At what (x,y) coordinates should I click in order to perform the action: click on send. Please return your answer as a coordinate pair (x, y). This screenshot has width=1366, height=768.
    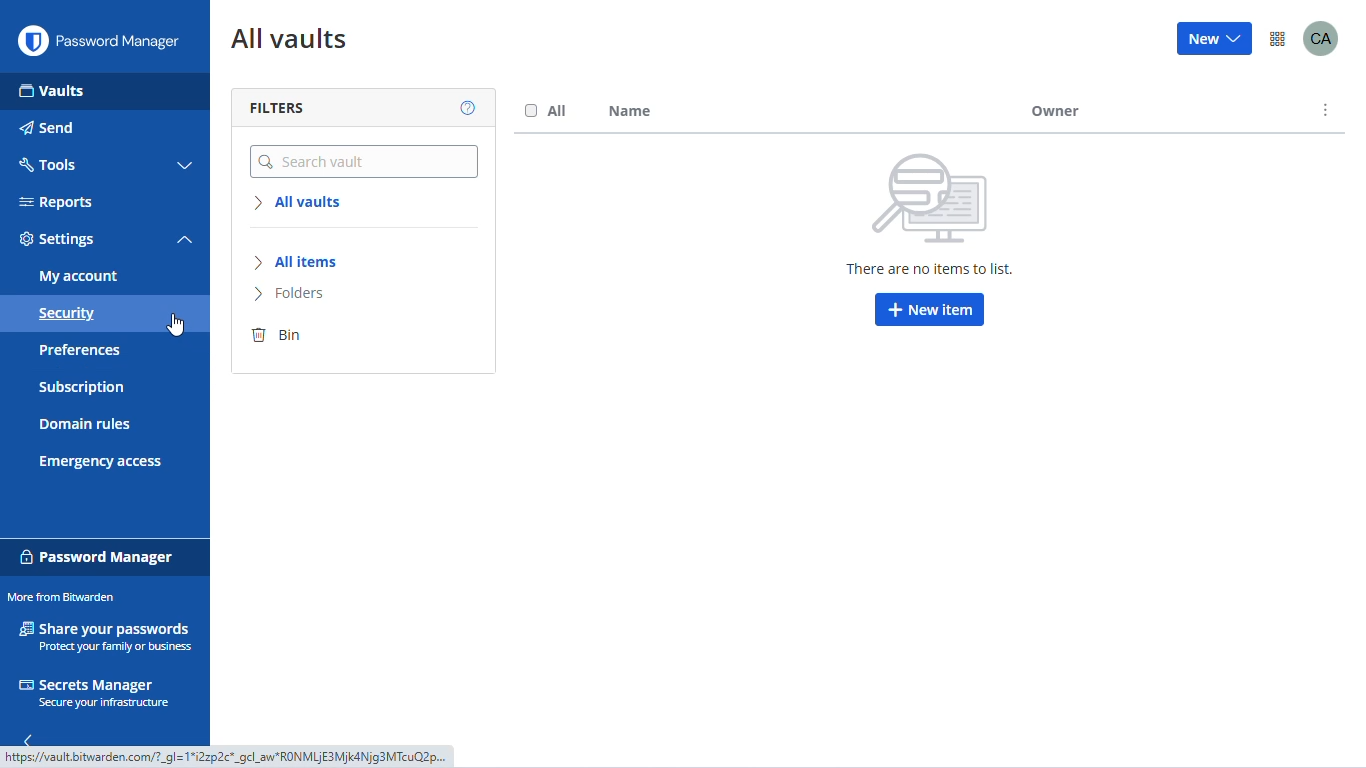
    Looking at the image, I should click on (49, 128).